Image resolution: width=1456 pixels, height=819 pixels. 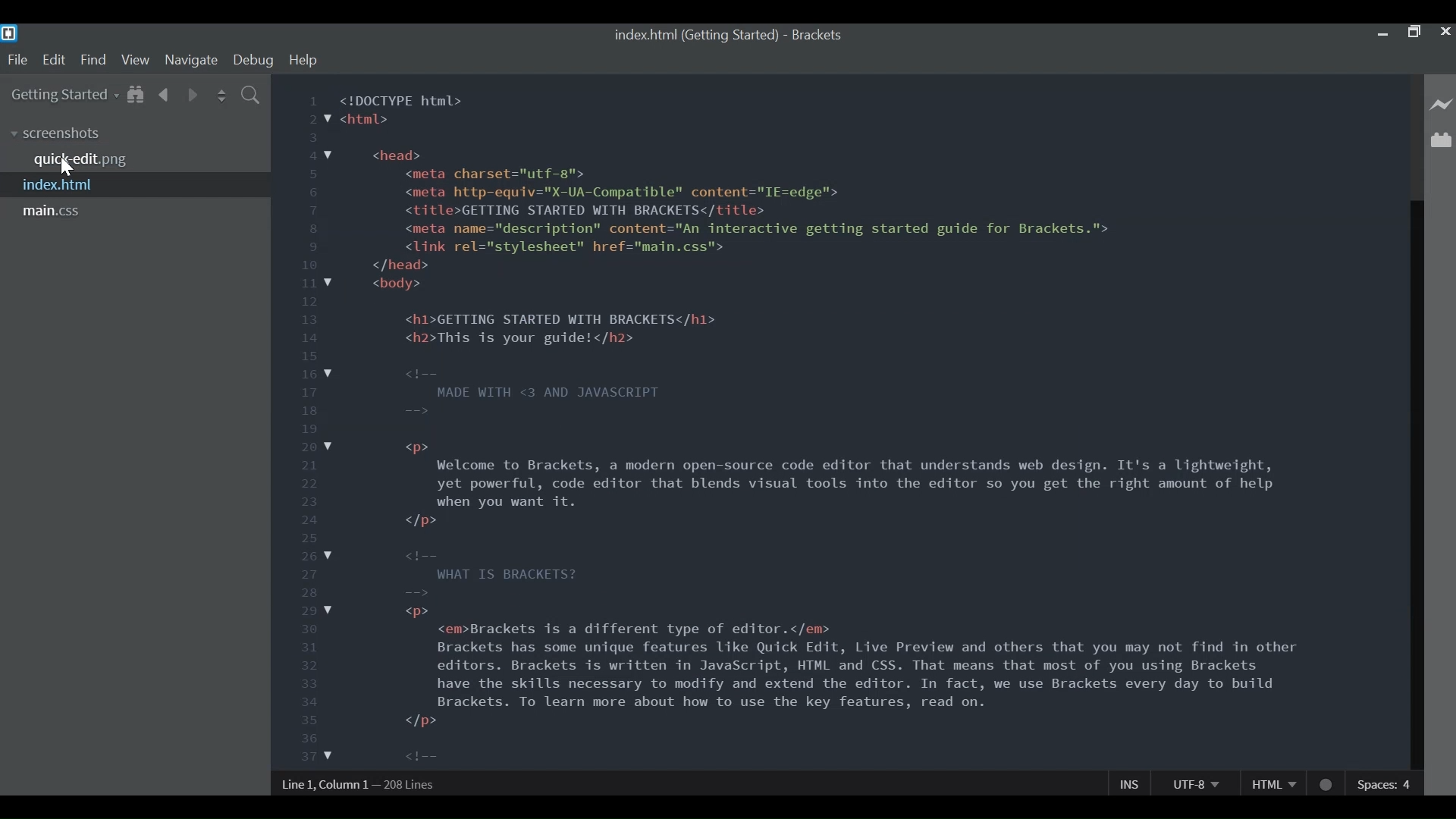 I want to click on View, so click(x=136, y=60).